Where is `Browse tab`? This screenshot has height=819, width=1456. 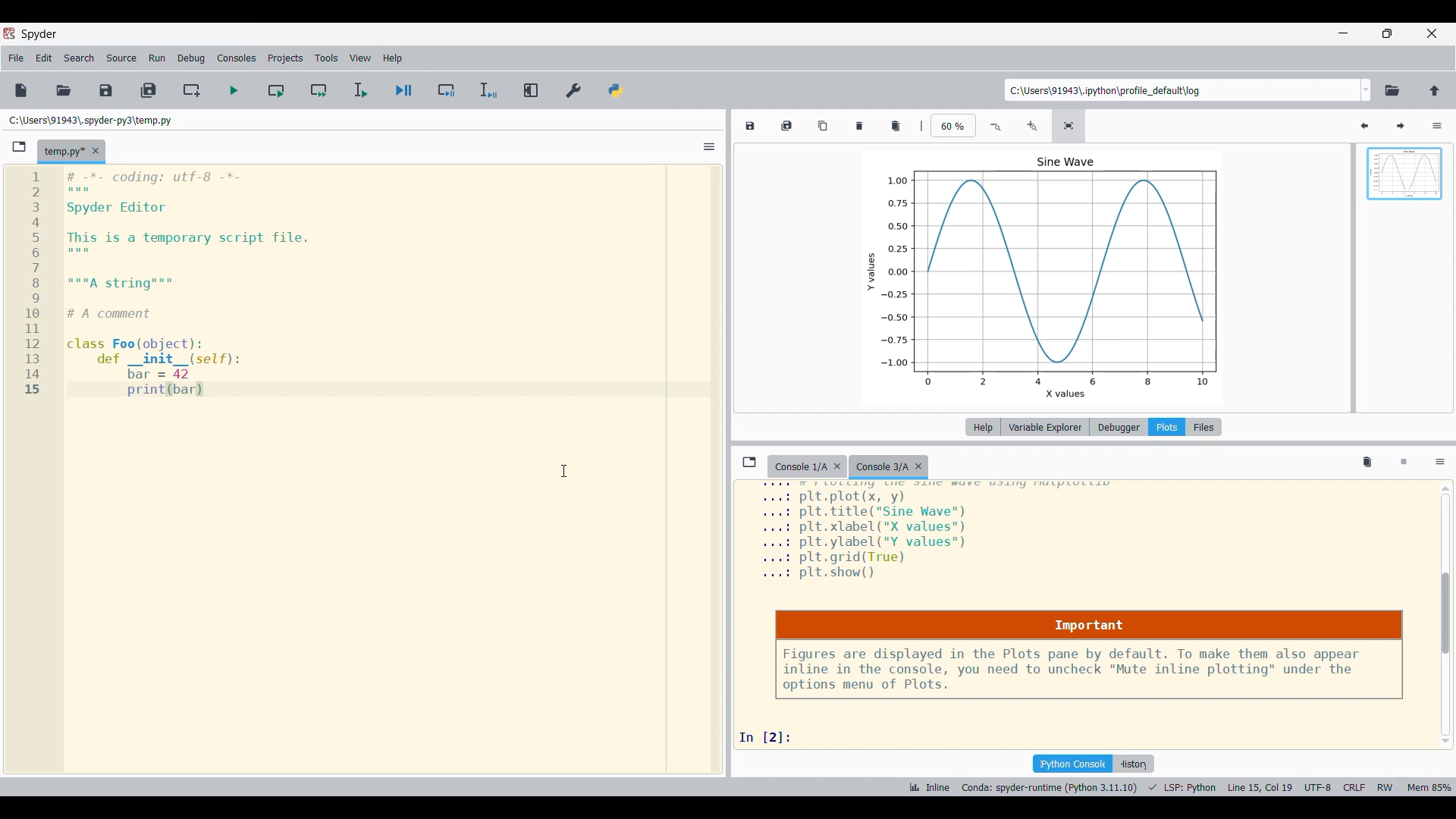 Browse tab is located at coordinates (20, 147).